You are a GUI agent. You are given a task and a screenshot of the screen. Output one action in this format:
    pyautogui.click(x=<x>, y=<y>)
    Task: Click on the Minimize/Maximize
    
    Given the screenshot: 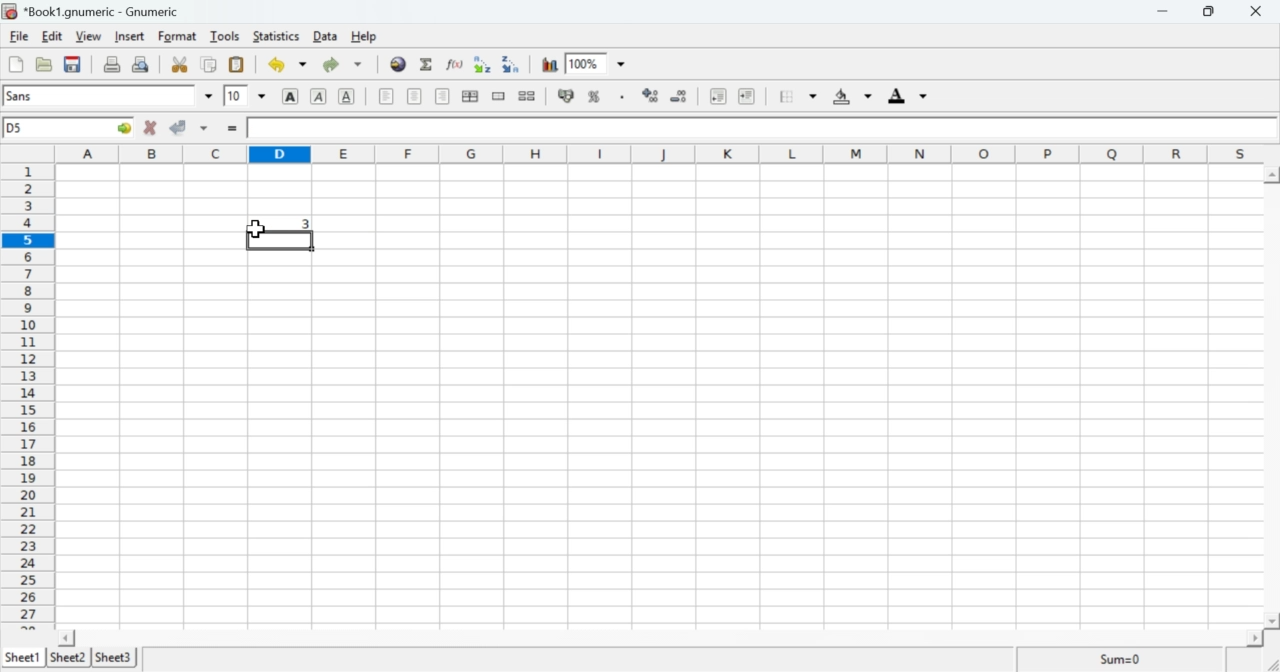 What is the action you would take?
    pyautogui.click(x=1215, y=11)
    